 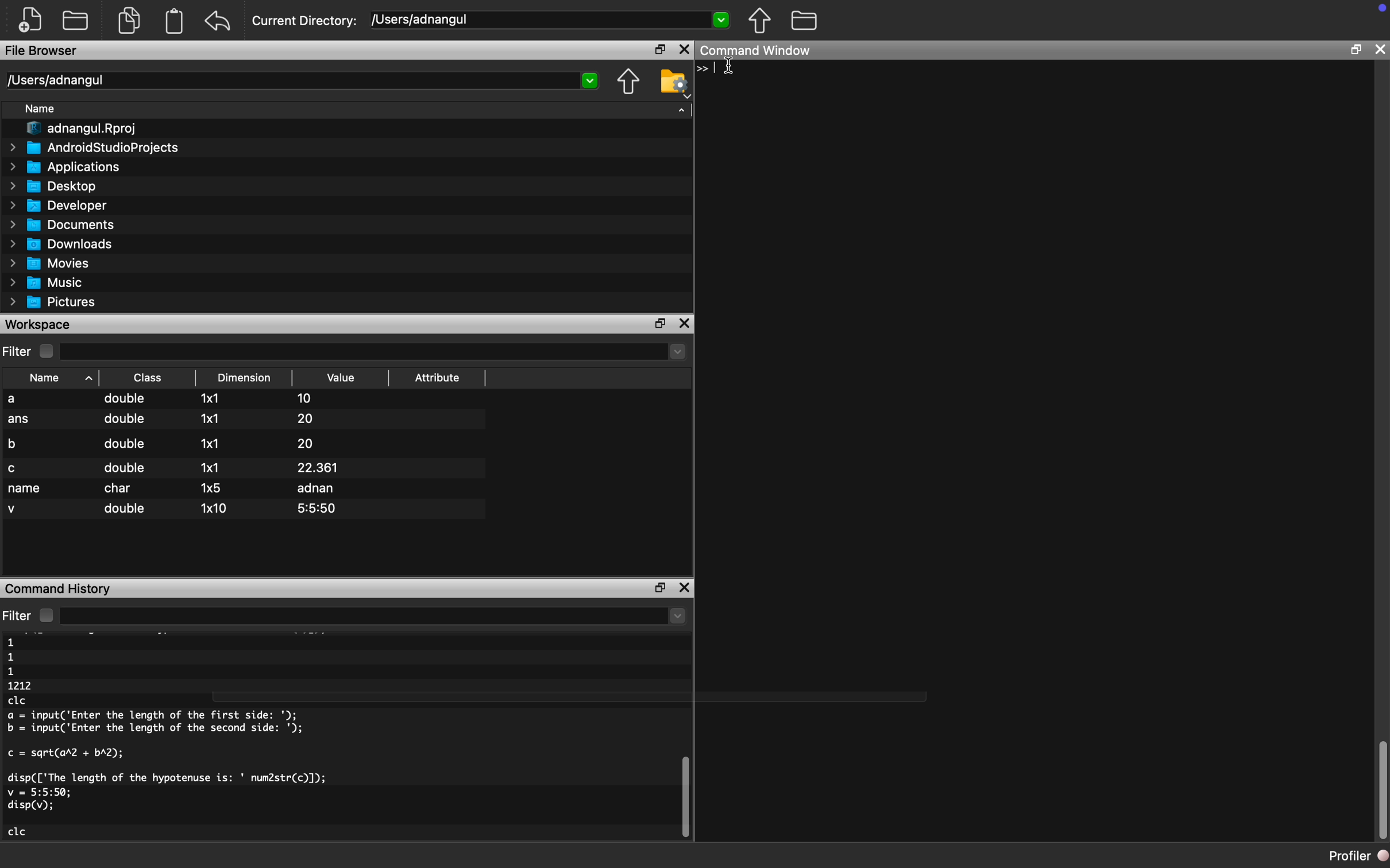 I want to click on New folder, so click(x=75, y=20).